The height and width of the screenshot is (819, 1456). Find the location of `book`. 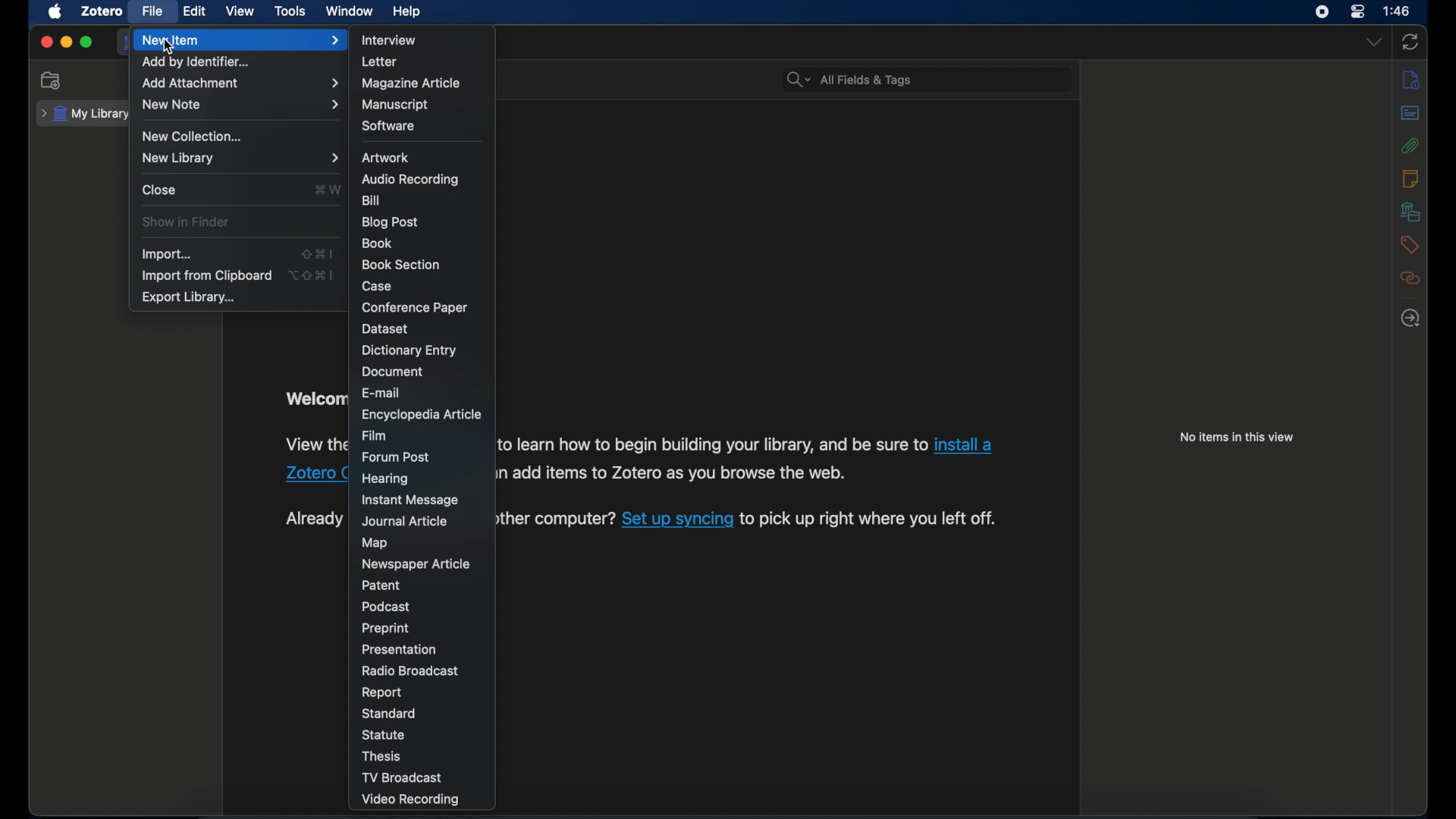

book is located at coordinates (376, 243).